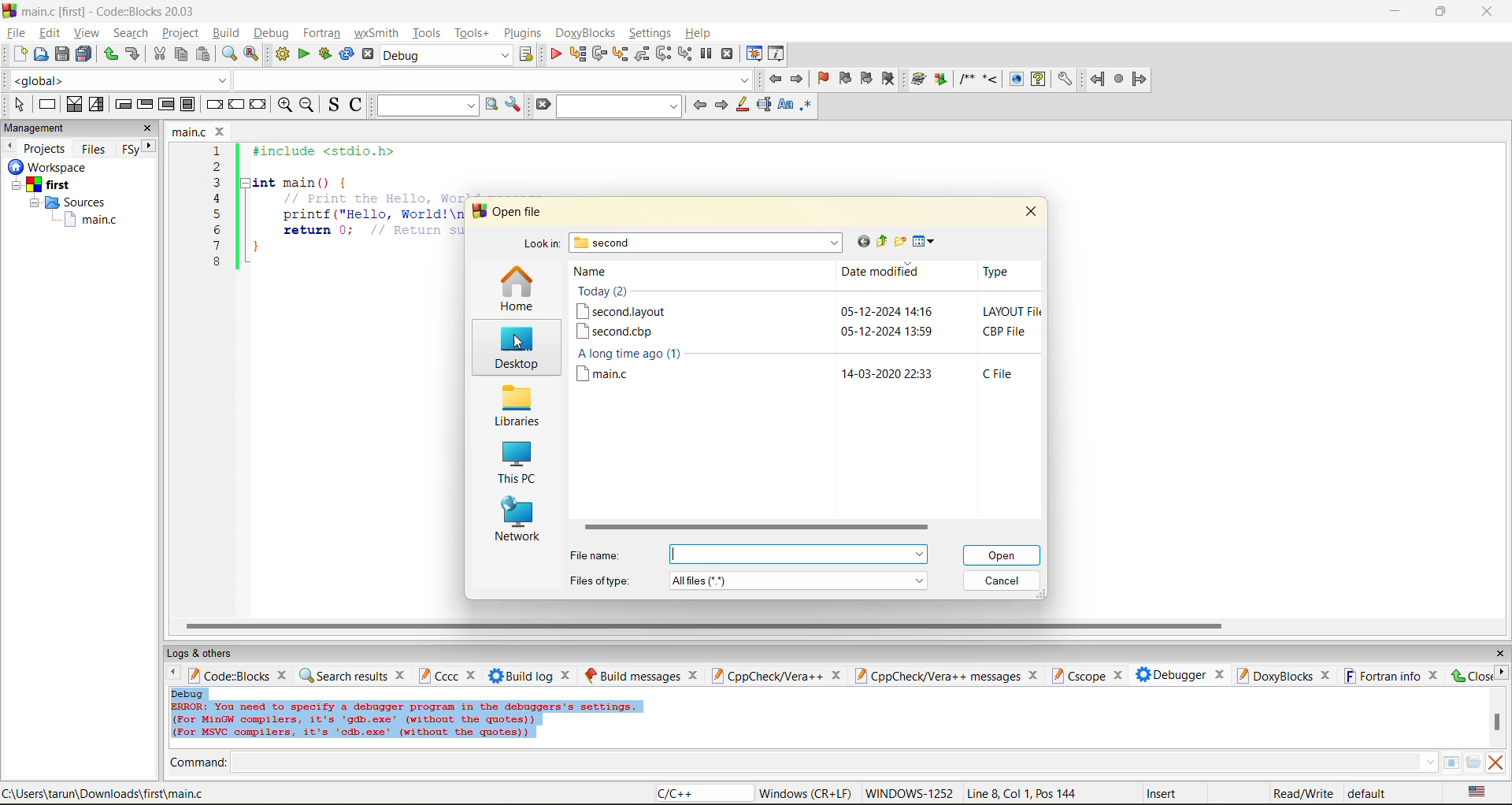 The height and width of the screenshot is (805, 1512). What do you see at coordinates (304, 54) in the screenshot?
I see `run` at bounding box center [304, 54].